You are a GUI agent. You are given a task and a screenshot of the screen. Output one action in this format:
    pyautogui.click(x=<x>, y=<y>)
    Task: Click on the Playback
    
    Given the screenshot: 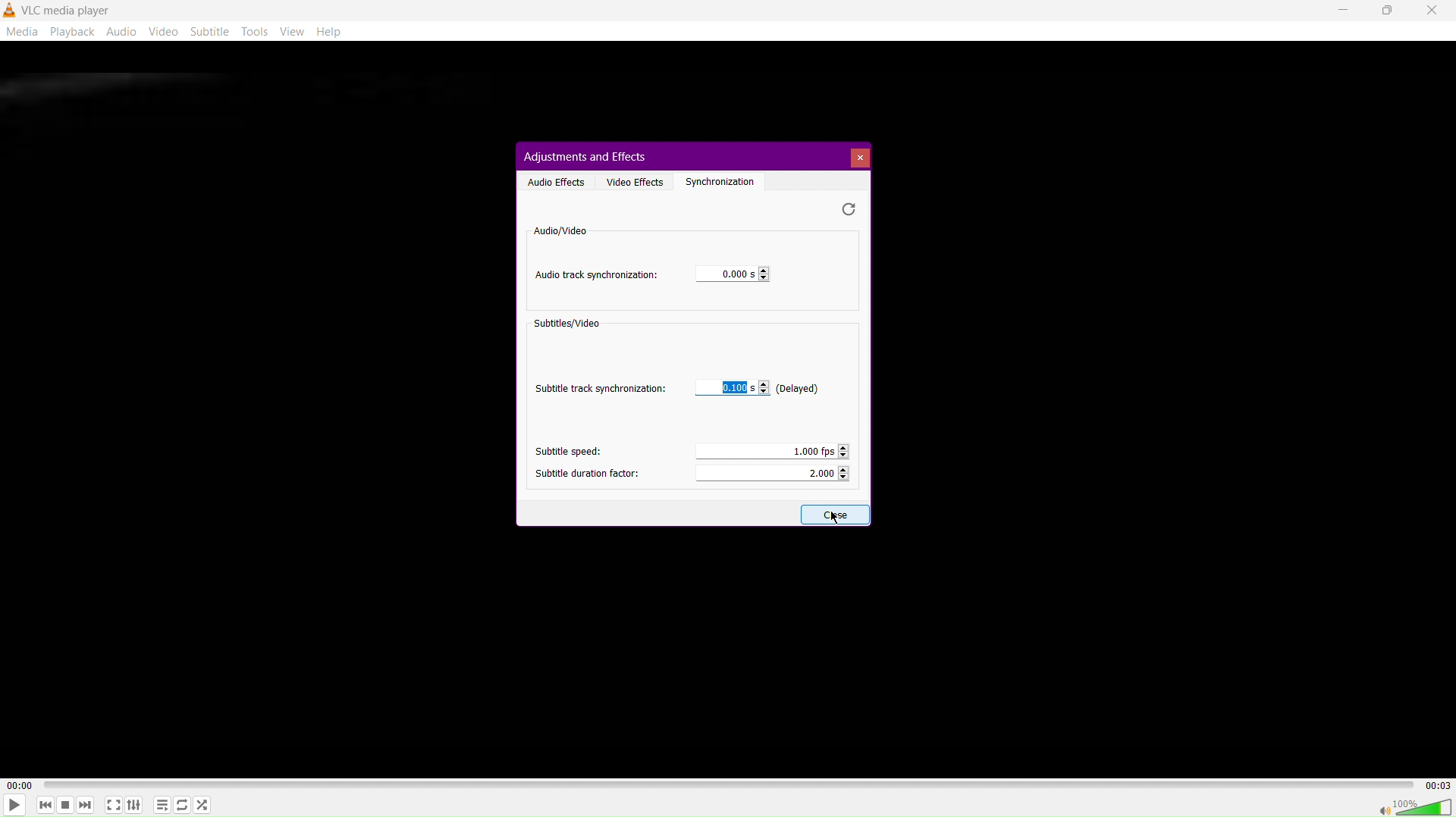 What is the action you would take?
    pyautogui.click(x=76, y=31)
    